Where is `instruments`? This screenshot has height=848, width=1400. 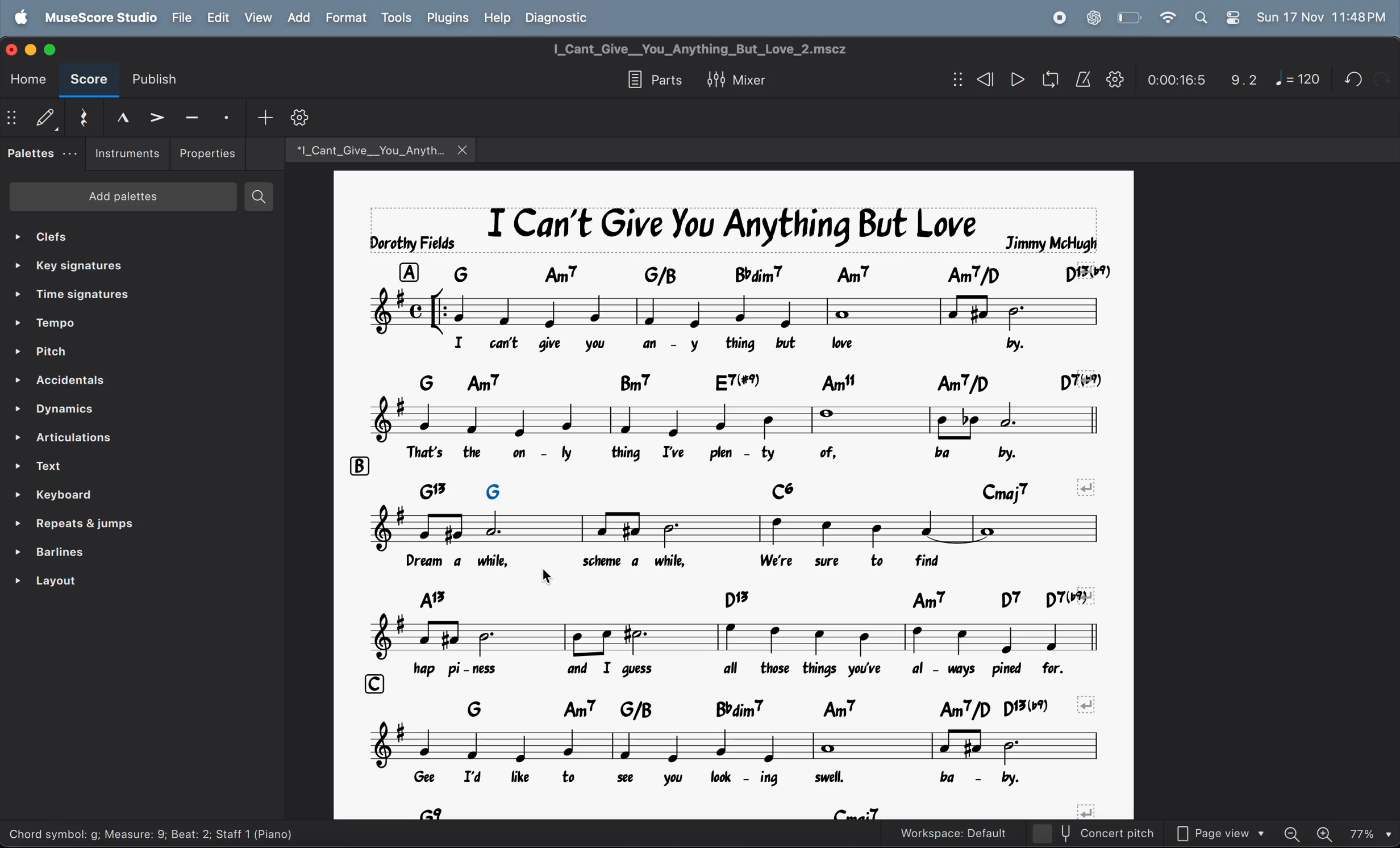 instruments is located at coordinates (128, 154).